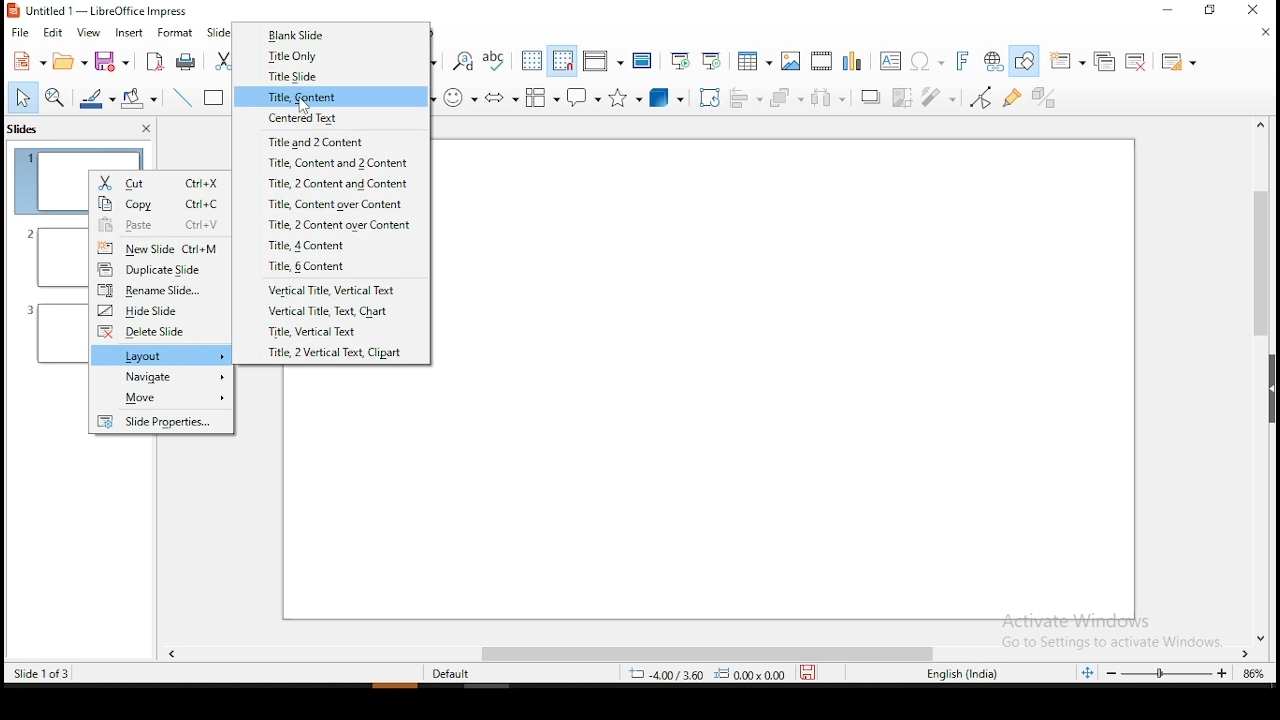 The width and height of the screenshot is (1280, 720). Describe the element at coordinates (303, 105) in the screenshot. I see `mouse pointer` at that location.